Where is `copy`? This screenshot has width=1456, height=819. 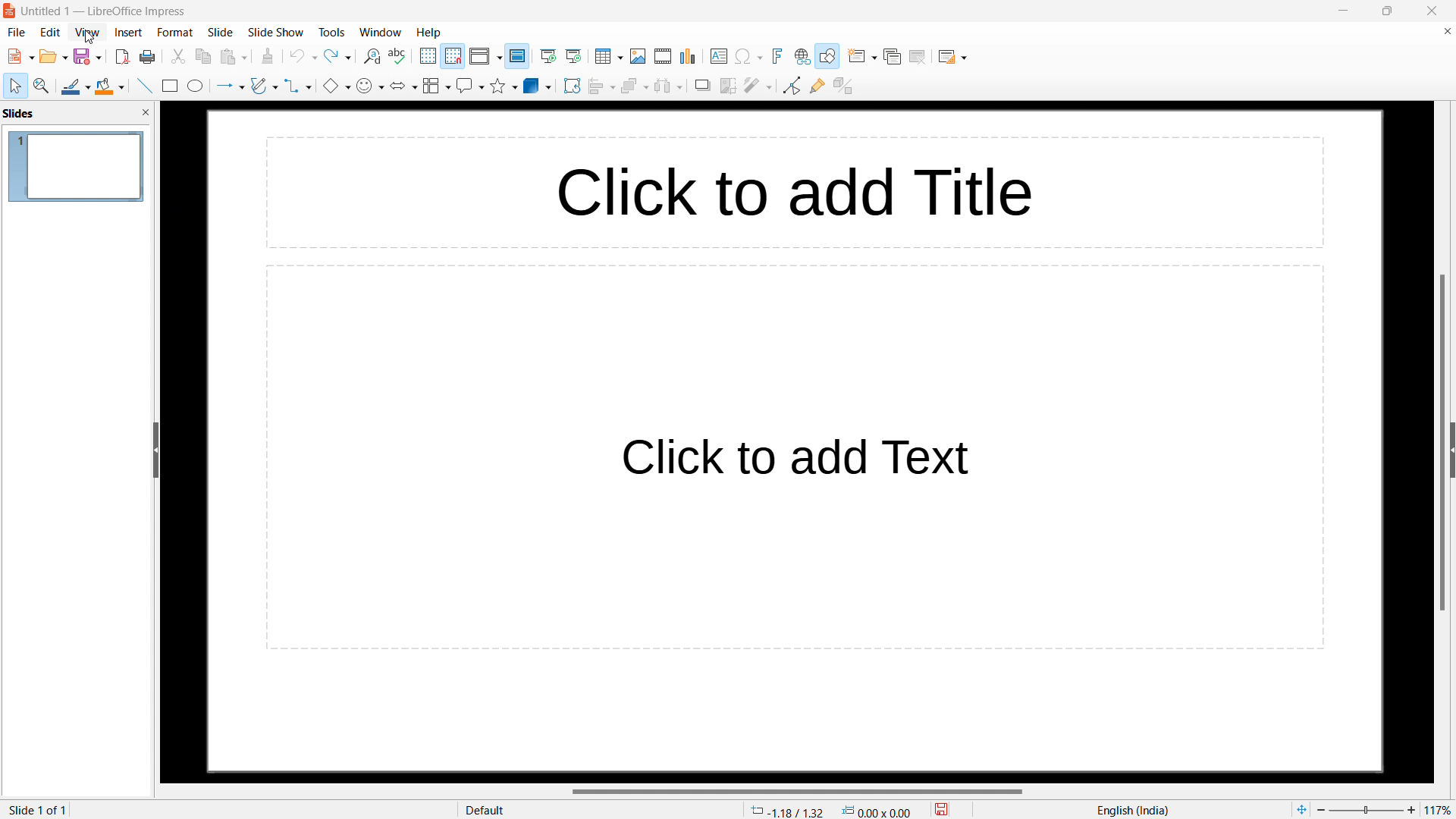
copy is located at coordinates (203, 57).